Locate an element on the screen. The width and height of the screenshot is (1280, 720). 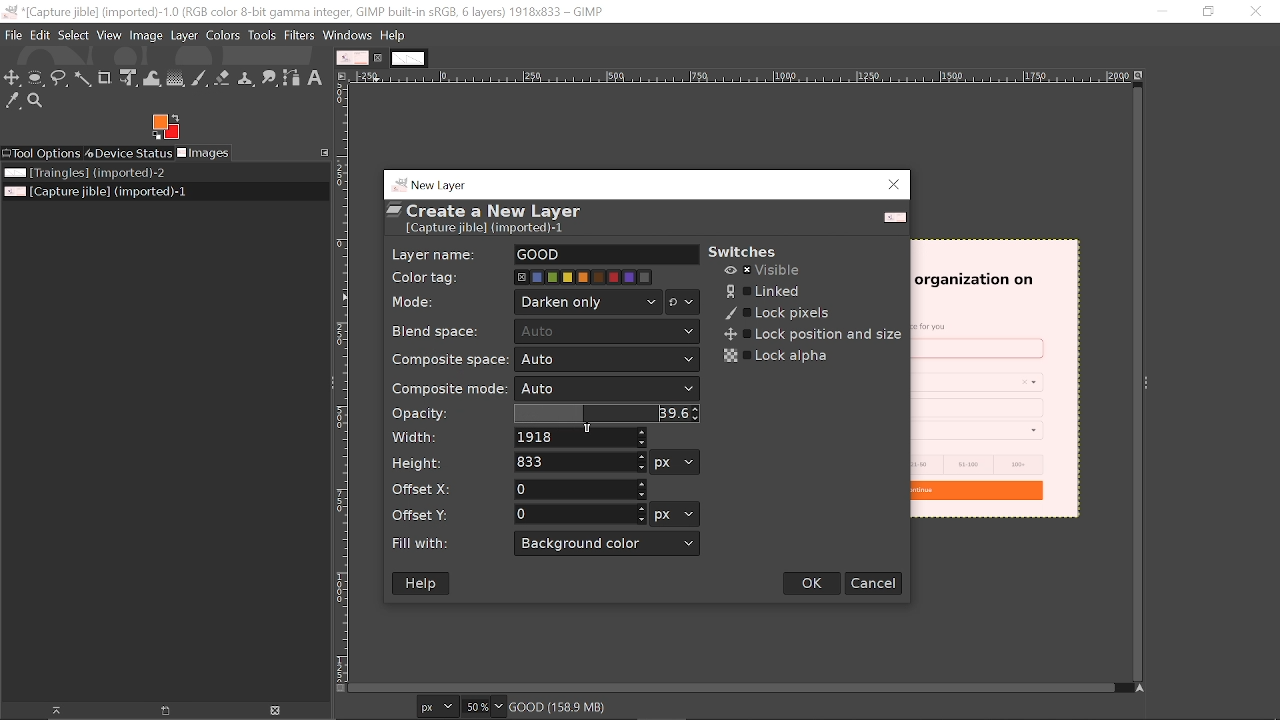
Current window is located at coordinates (303, 12).